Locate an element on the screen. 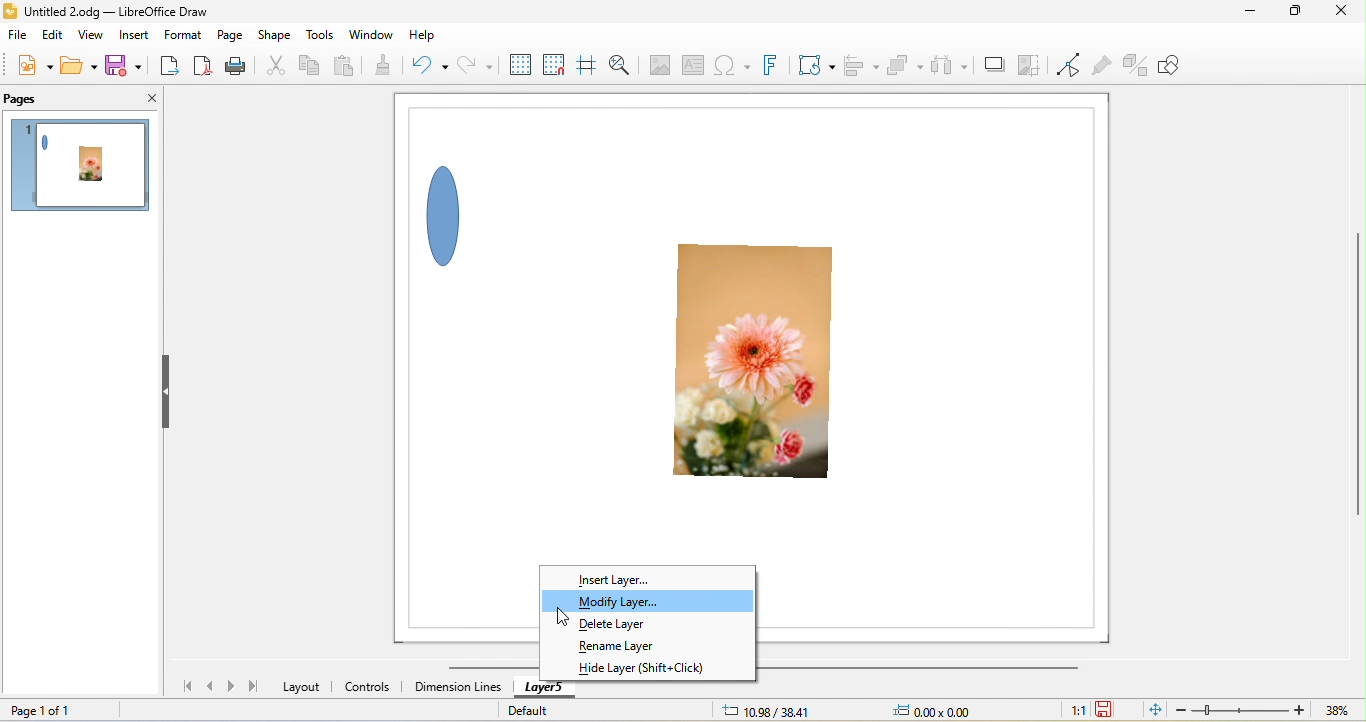 The height and width of the screenshot is (722, 1366). next page is located at coordinates (234, 686).